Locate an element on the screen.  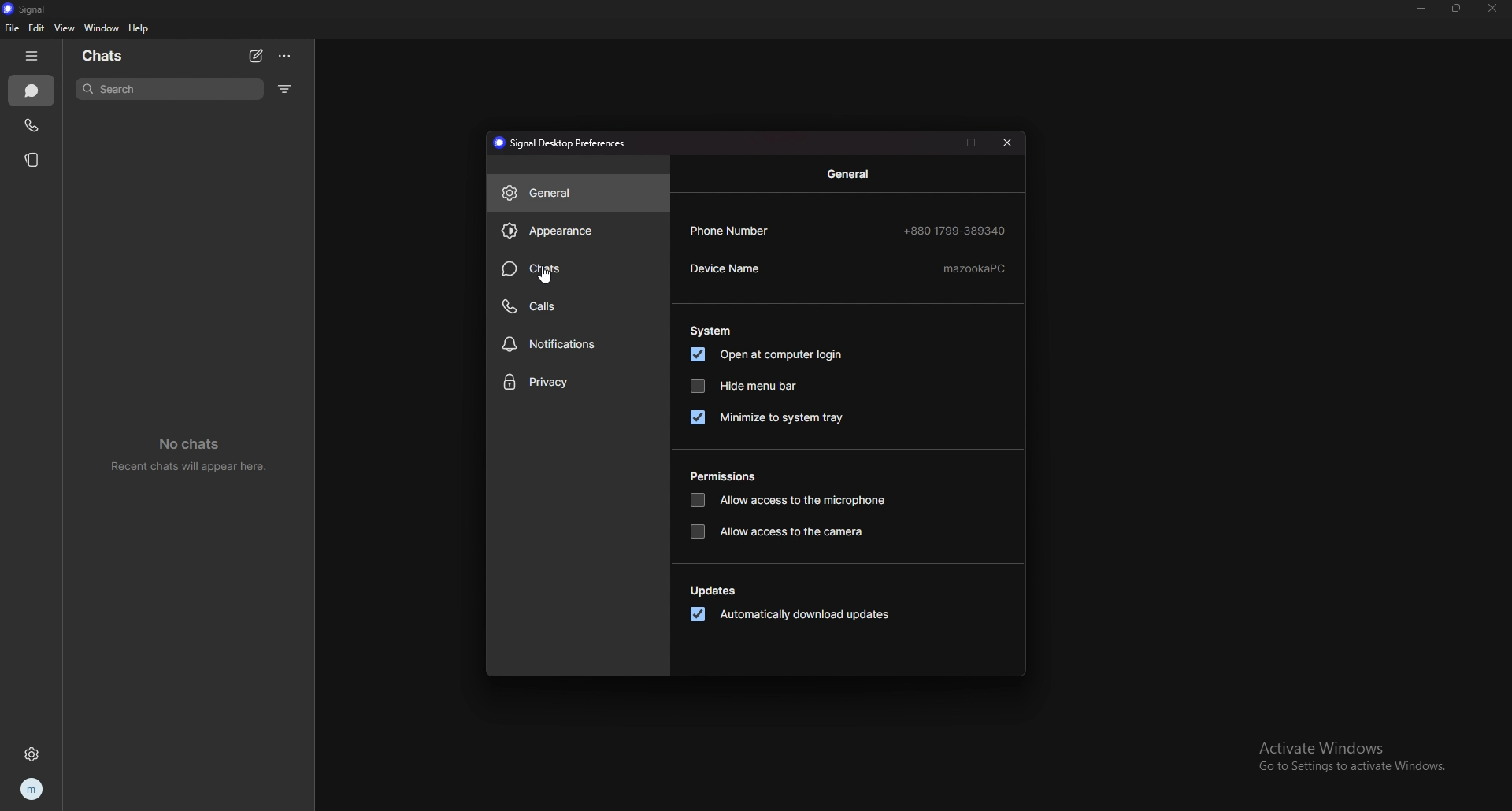
close is located at coordinates (1491, 9).